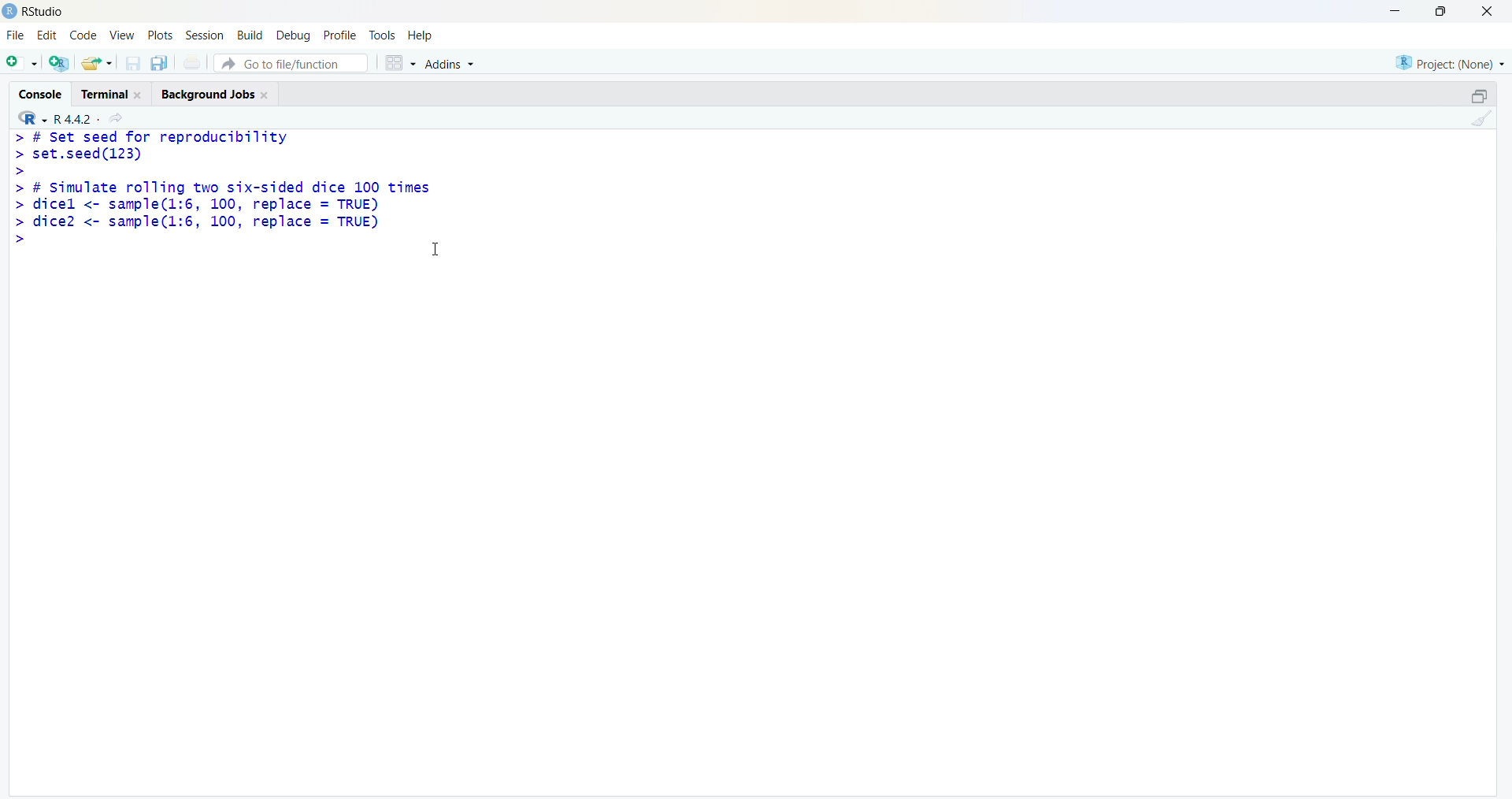 The height and width of the screenshot is (799, 1512). I want to click on debug, so click(292, 36).